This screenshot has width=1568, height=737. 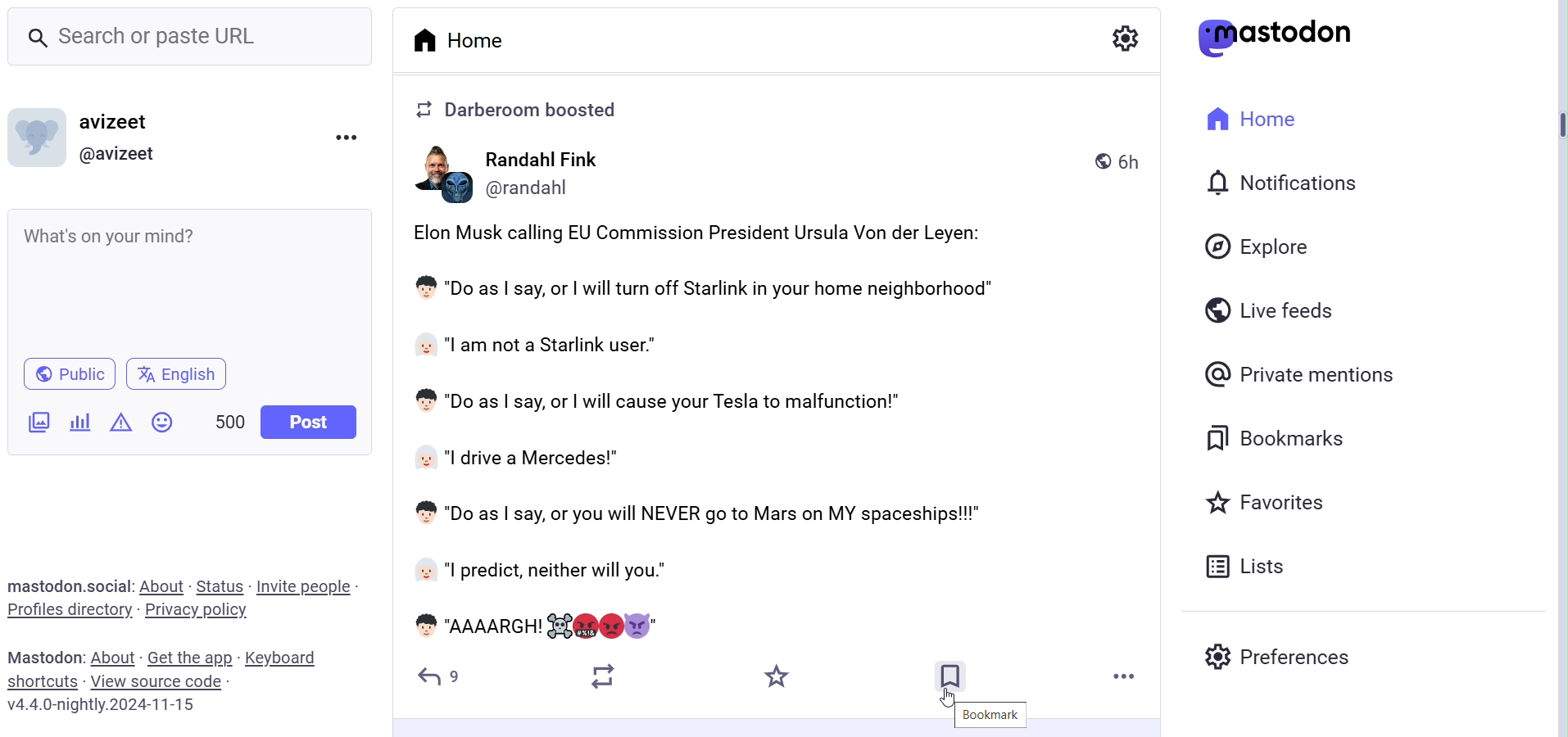 I want to click on “l am not a Starlink user.", so click(x=547, y=346).